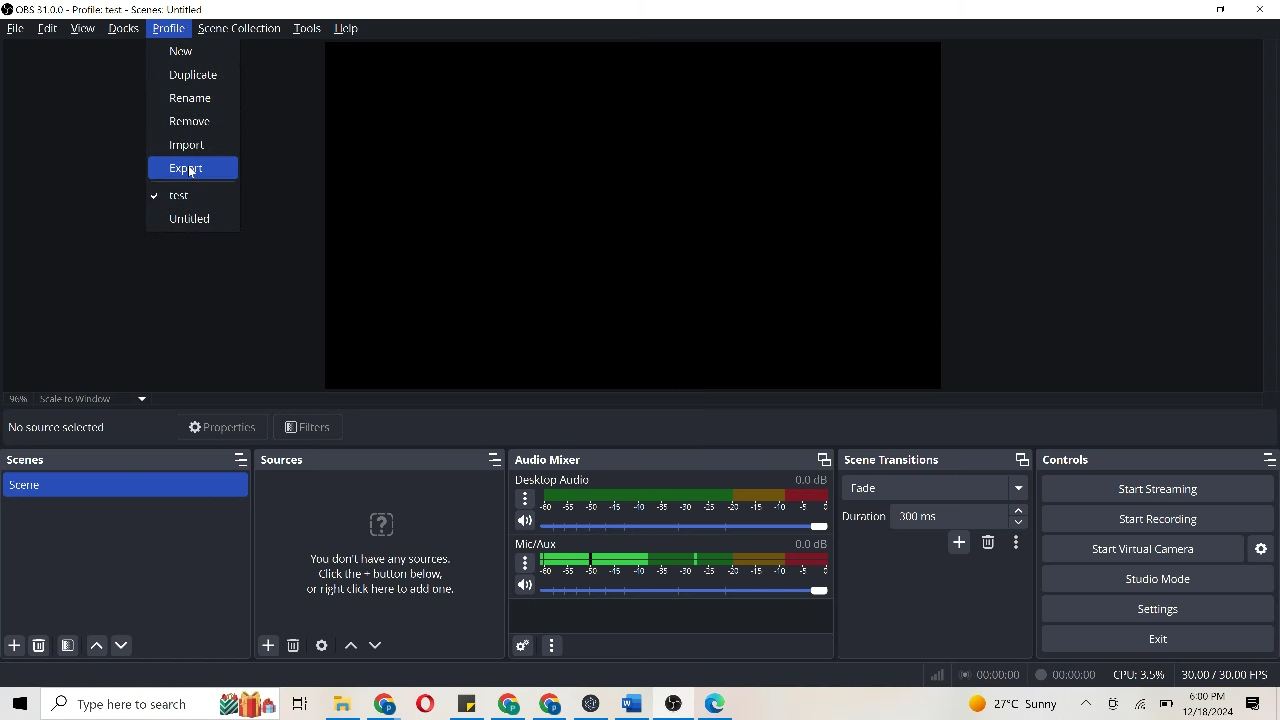  What do you see at coordinates (685, 588) in the screenshot?
I see `slider` at bounding box center [685, 588].